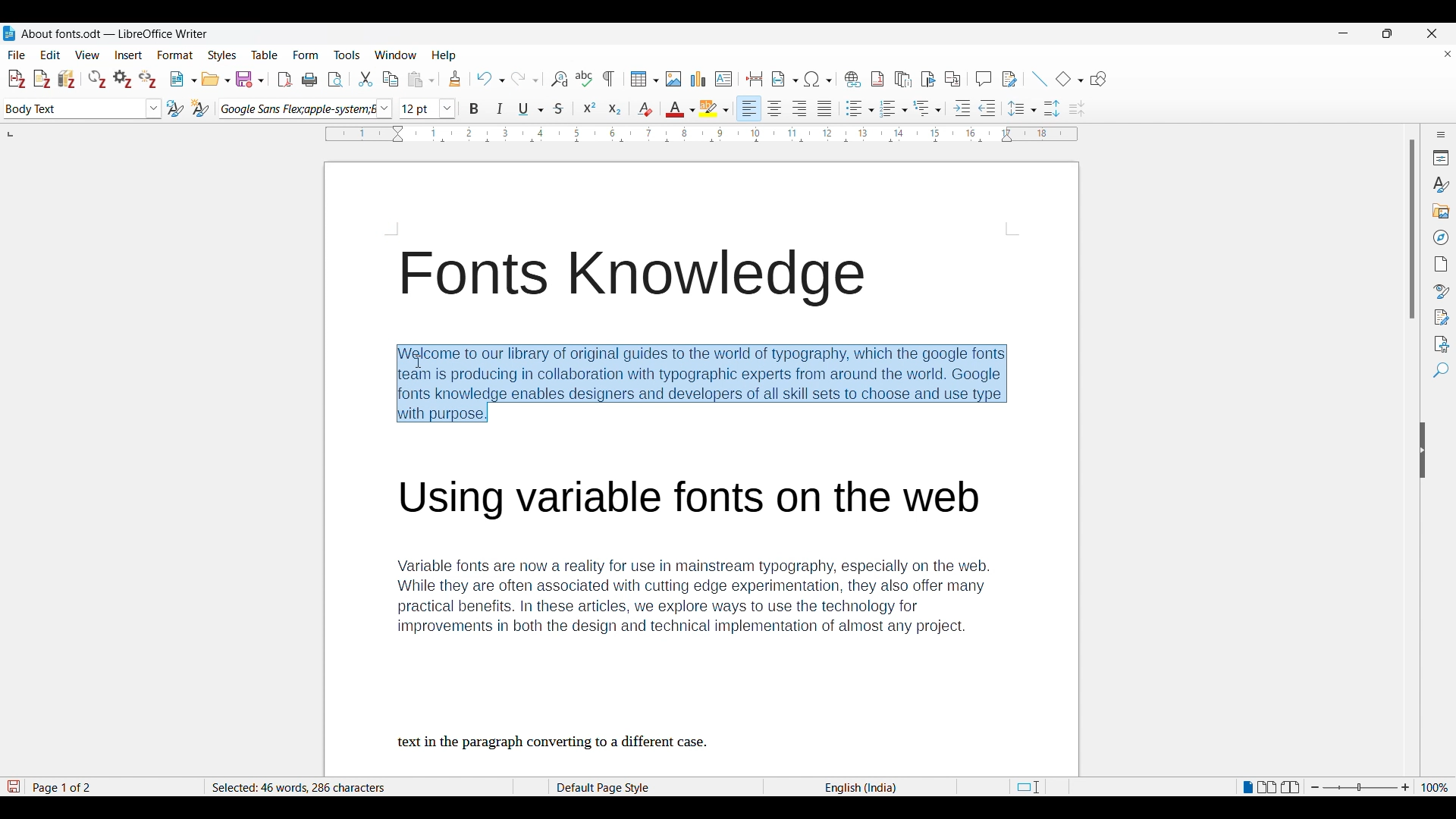 The image size is (1456, 819). What do you see at coordinates (13, 786) in the screenshot?
I see `Click to save new changes` at bounding box center [13, 786].